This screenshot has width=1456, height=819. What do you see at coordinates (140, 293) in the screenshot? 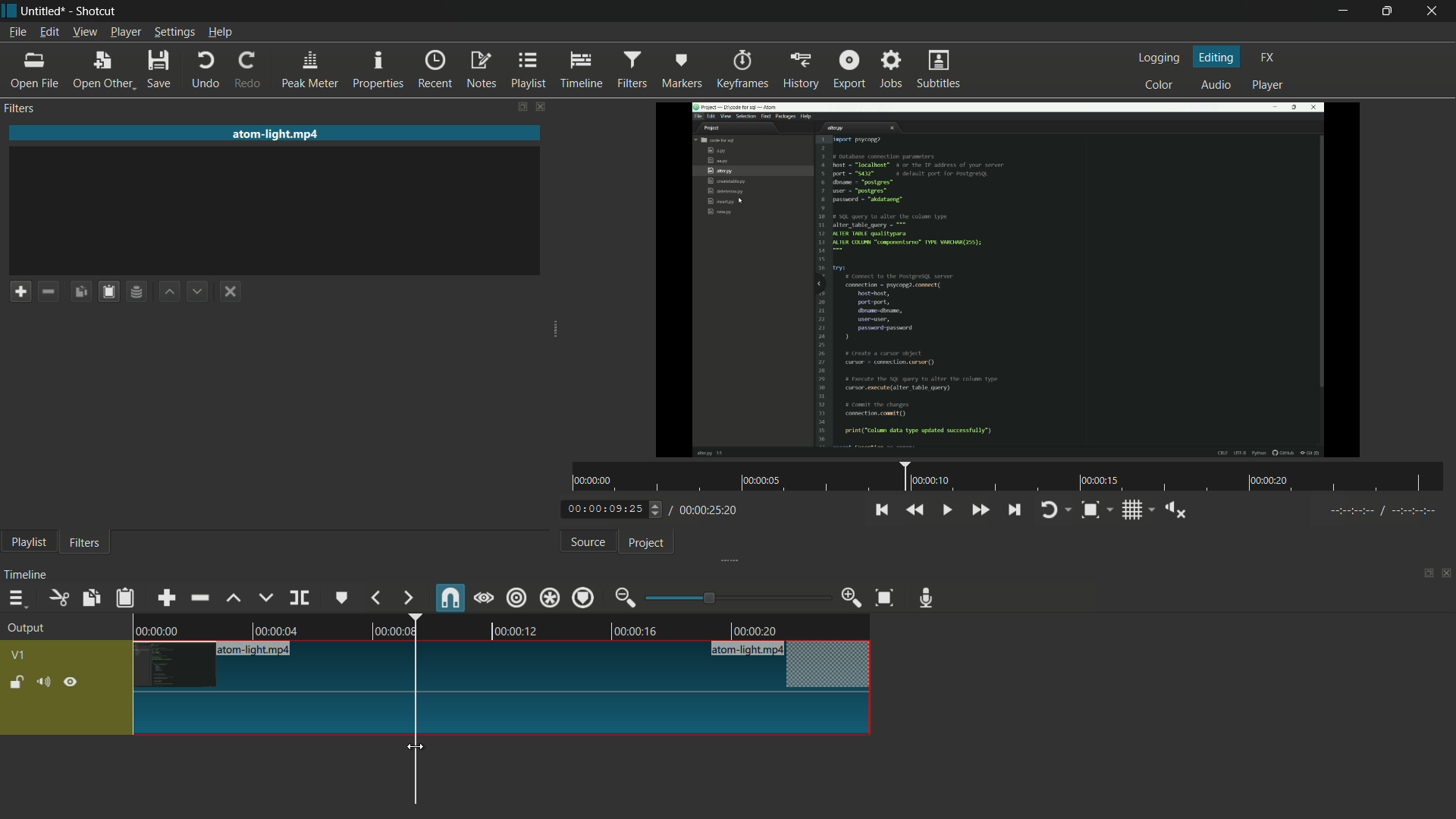
I see `save filter set` at bounding box center [140, 293].